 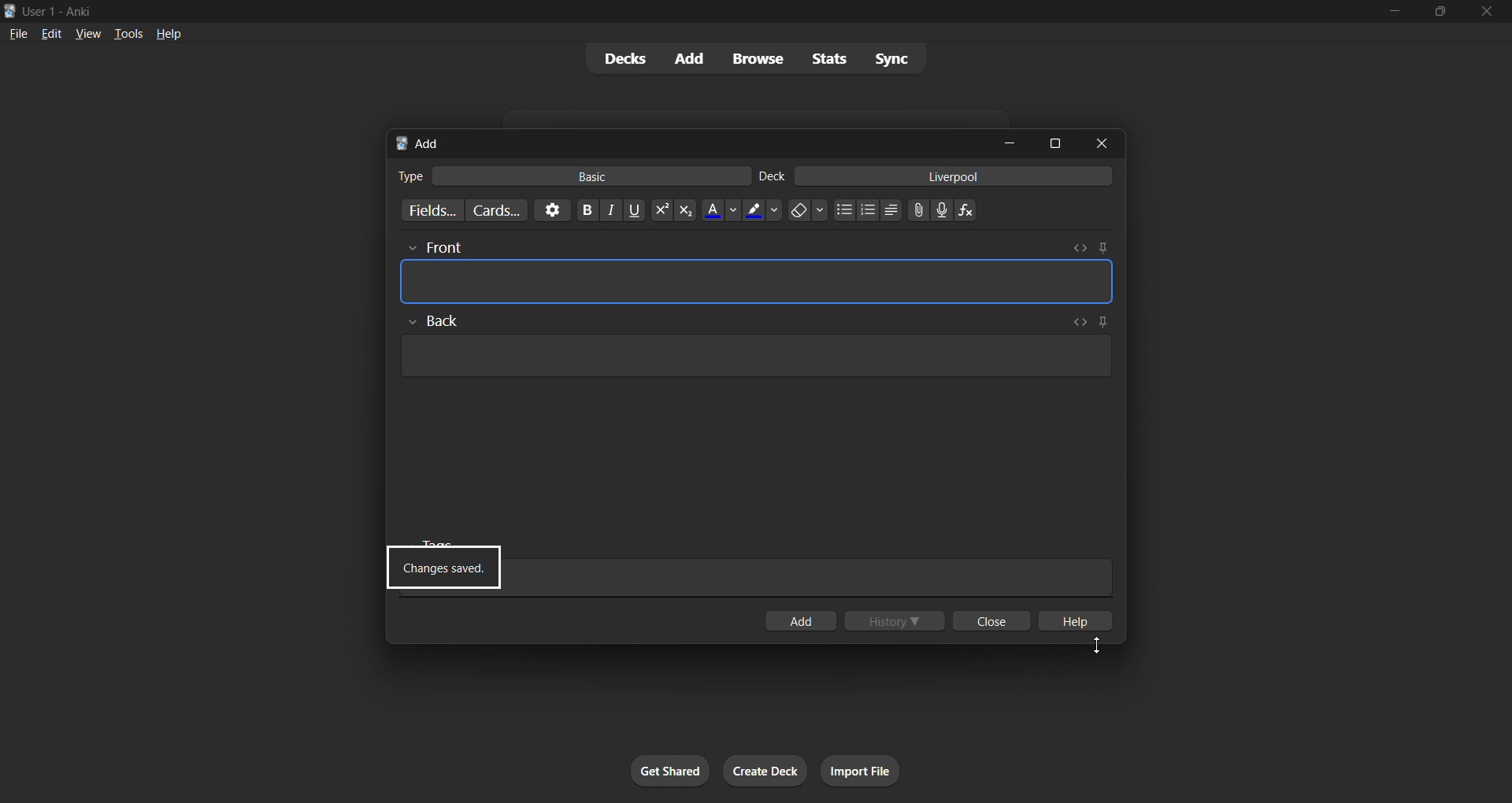 What do you see at coordinates (1101, 648) in the screenshot?
I see `cursor` at bounding box center [1101, 648].